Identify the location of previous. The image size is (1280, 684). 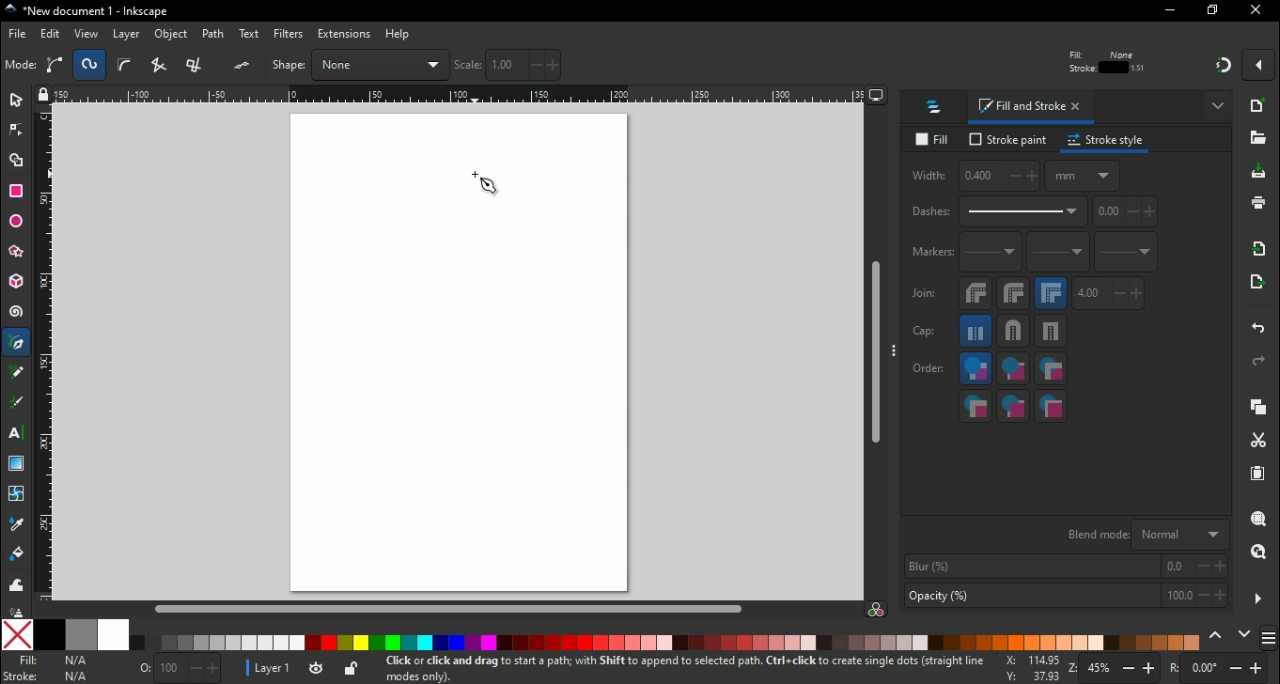
(1217, 635).